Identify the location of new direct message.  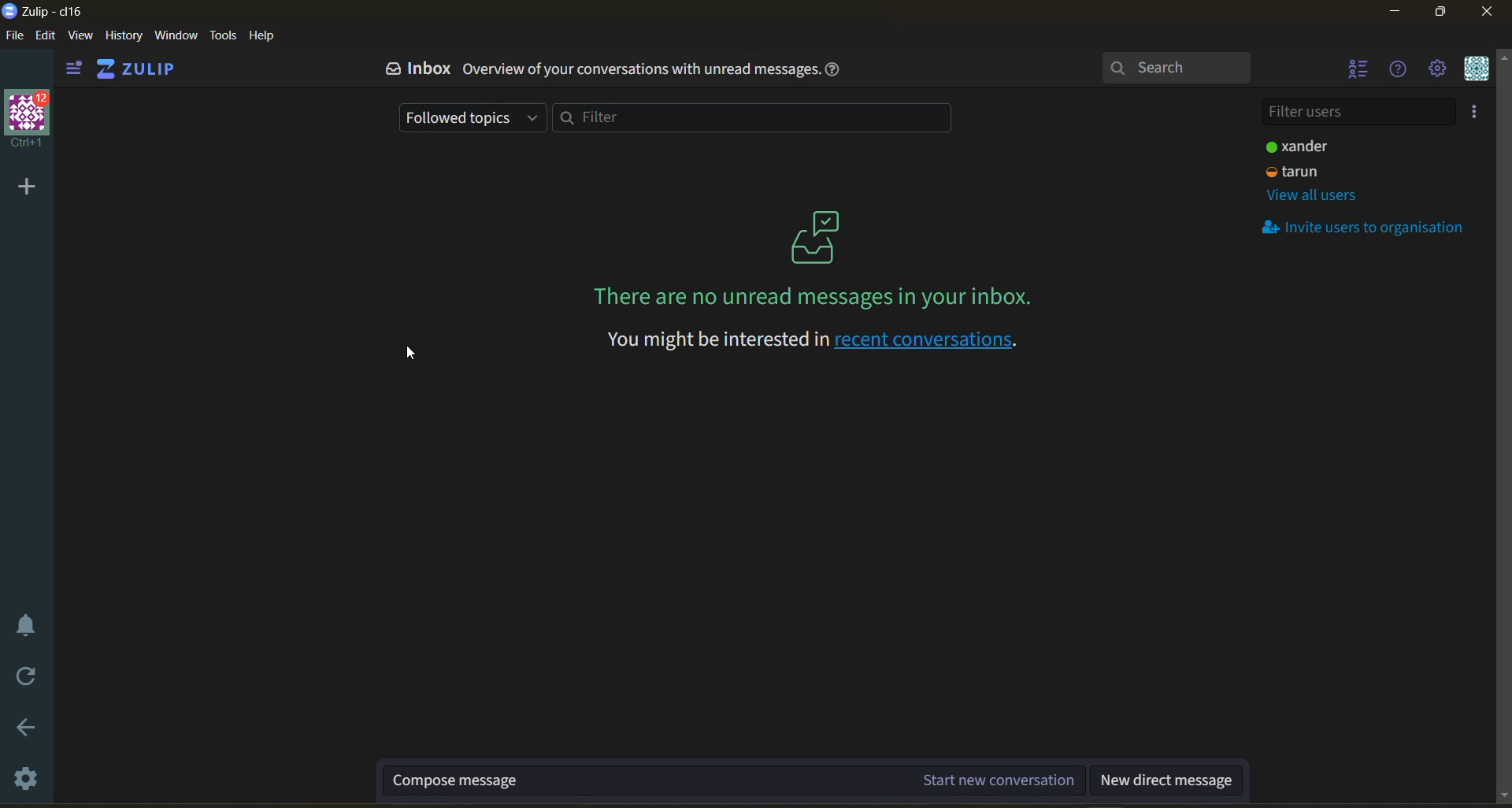
(1165, 781).